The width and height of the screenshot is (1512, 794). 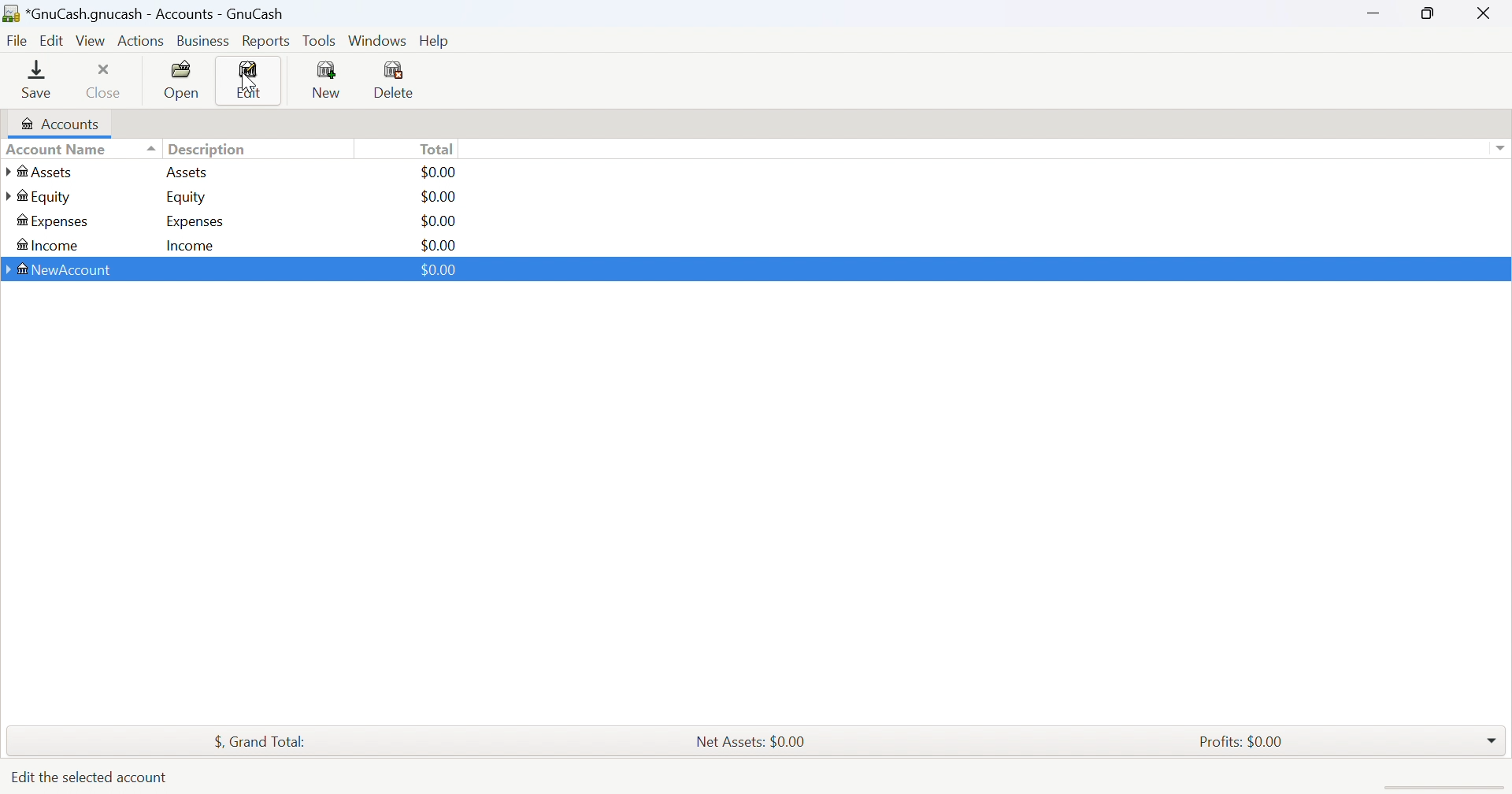 What do you see at coordinates (141, 41) in the screenshot?
I see `Actions` at bounding box center [141, 41].